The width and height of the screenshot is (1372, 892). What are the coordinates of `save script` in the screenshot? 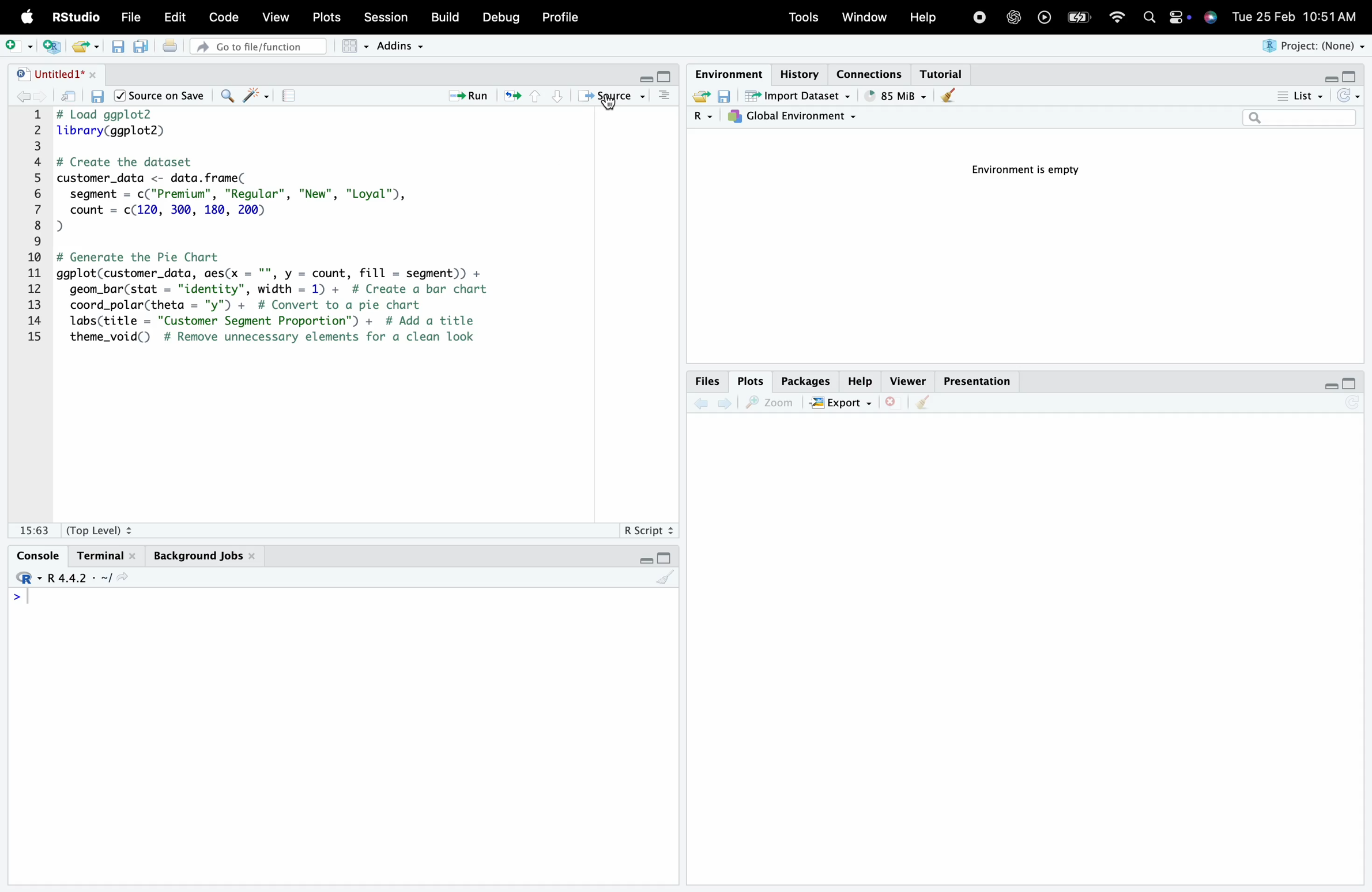 It's located at (99, 99).